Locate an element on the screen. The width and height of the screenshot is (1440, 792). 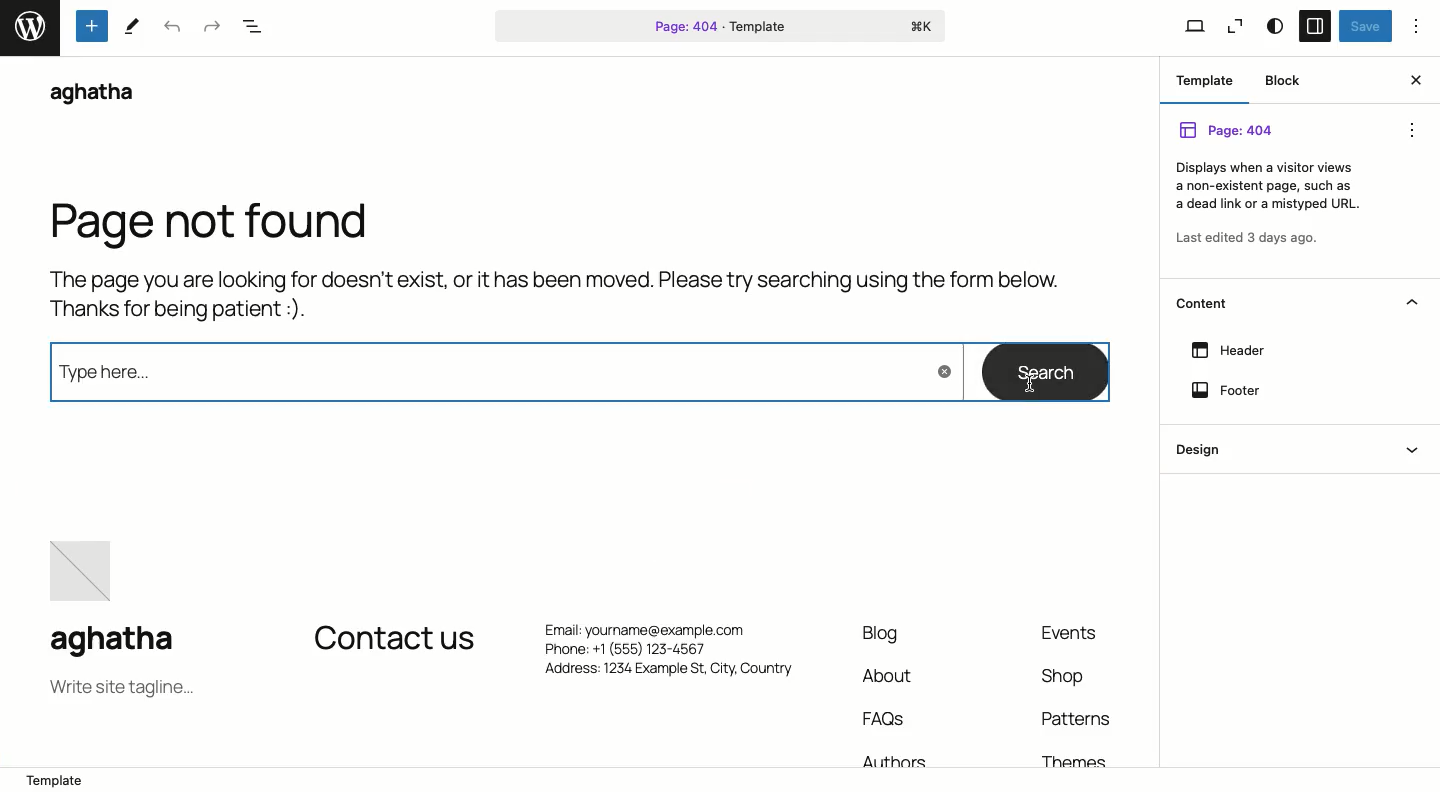
 is located at coordinates (1269, 184).